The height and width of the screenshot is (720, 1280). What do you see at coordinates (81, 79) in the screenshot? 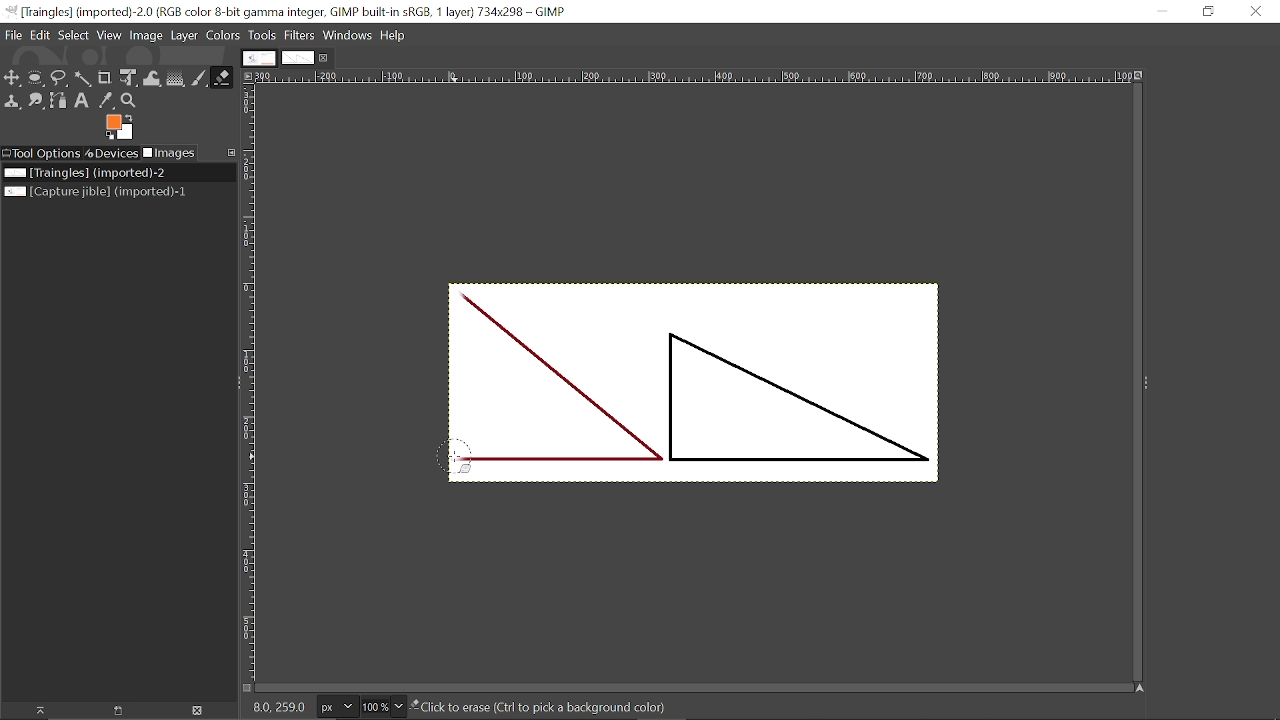
I see `Fuzz select tool` at bounding box center [81, 79].